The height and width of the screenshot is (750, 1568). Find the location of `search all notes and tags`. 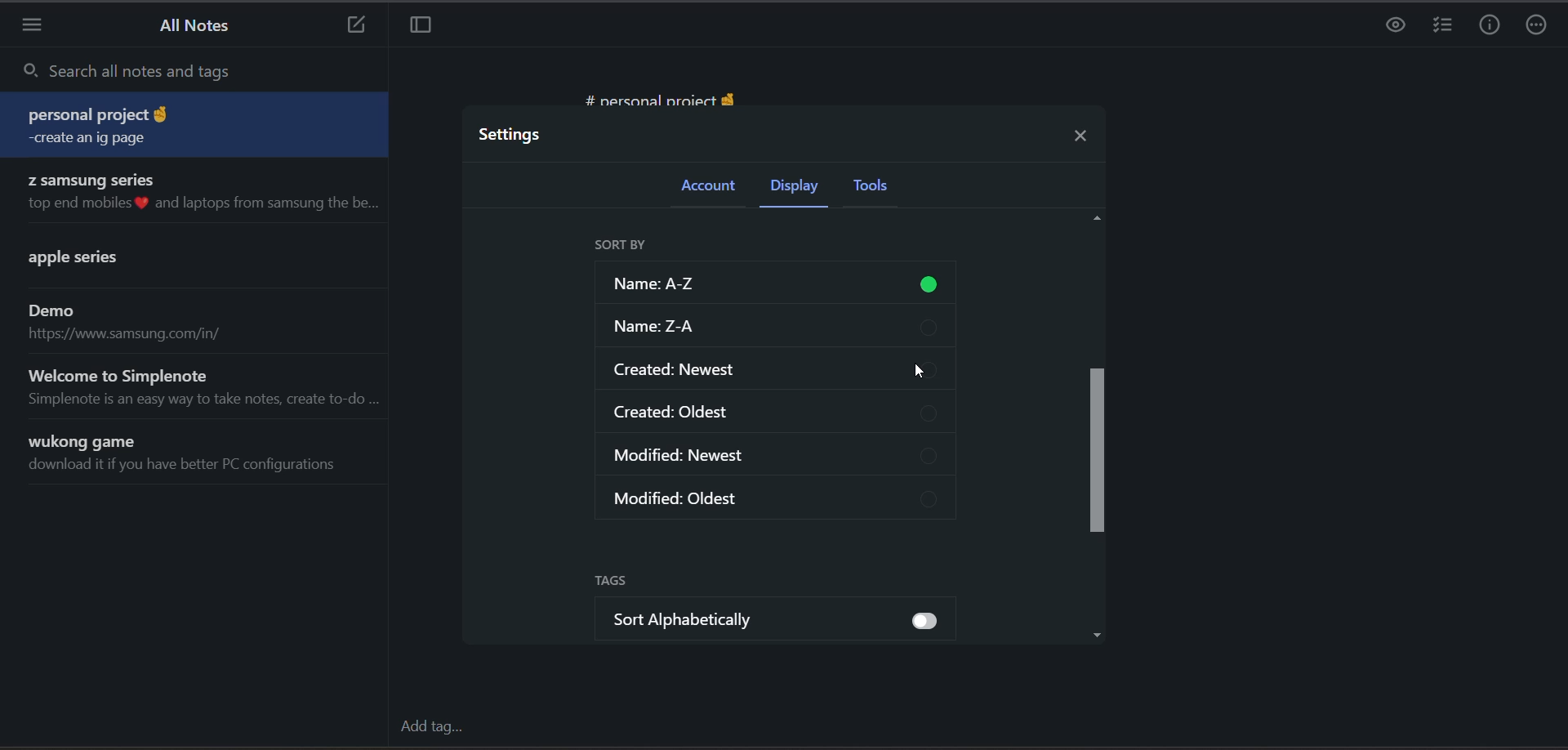

search all notes and tags is located at coordinates (202, 74).